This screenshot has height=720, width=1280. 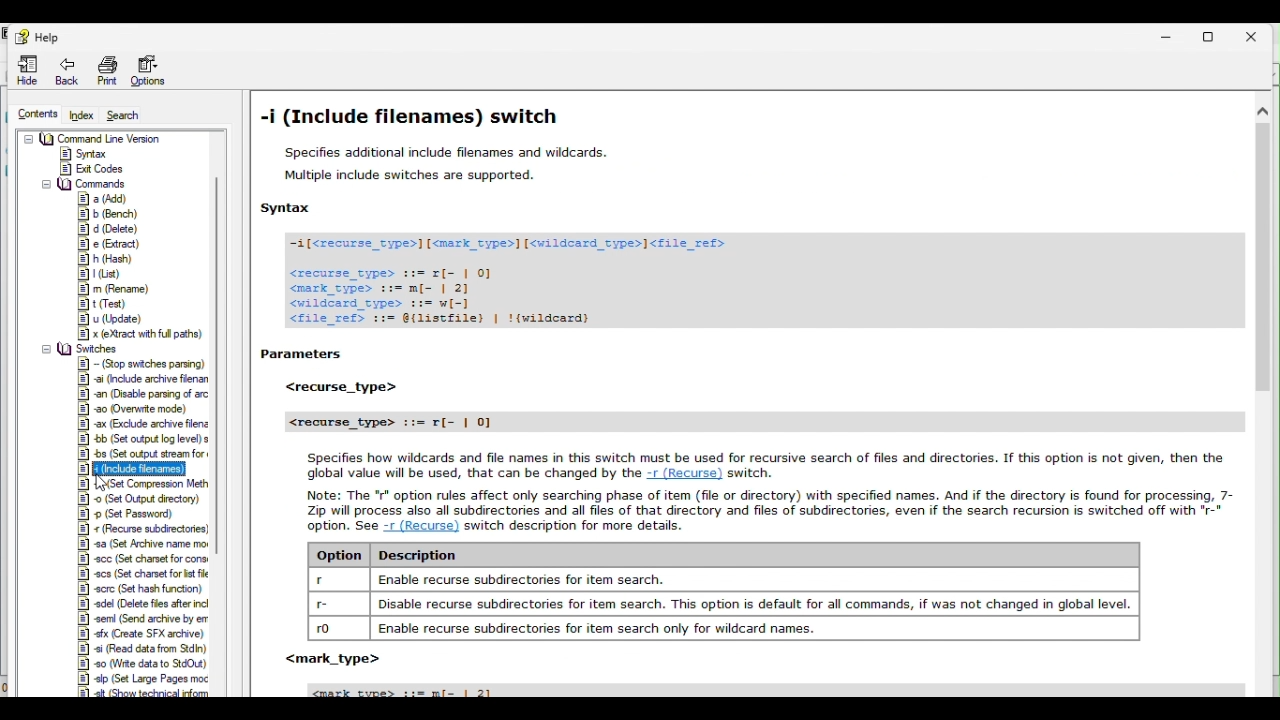 What do you see at coordinates (99, 153) in the screenshot?
I see `Syntax` at bounding box center [99, 153].